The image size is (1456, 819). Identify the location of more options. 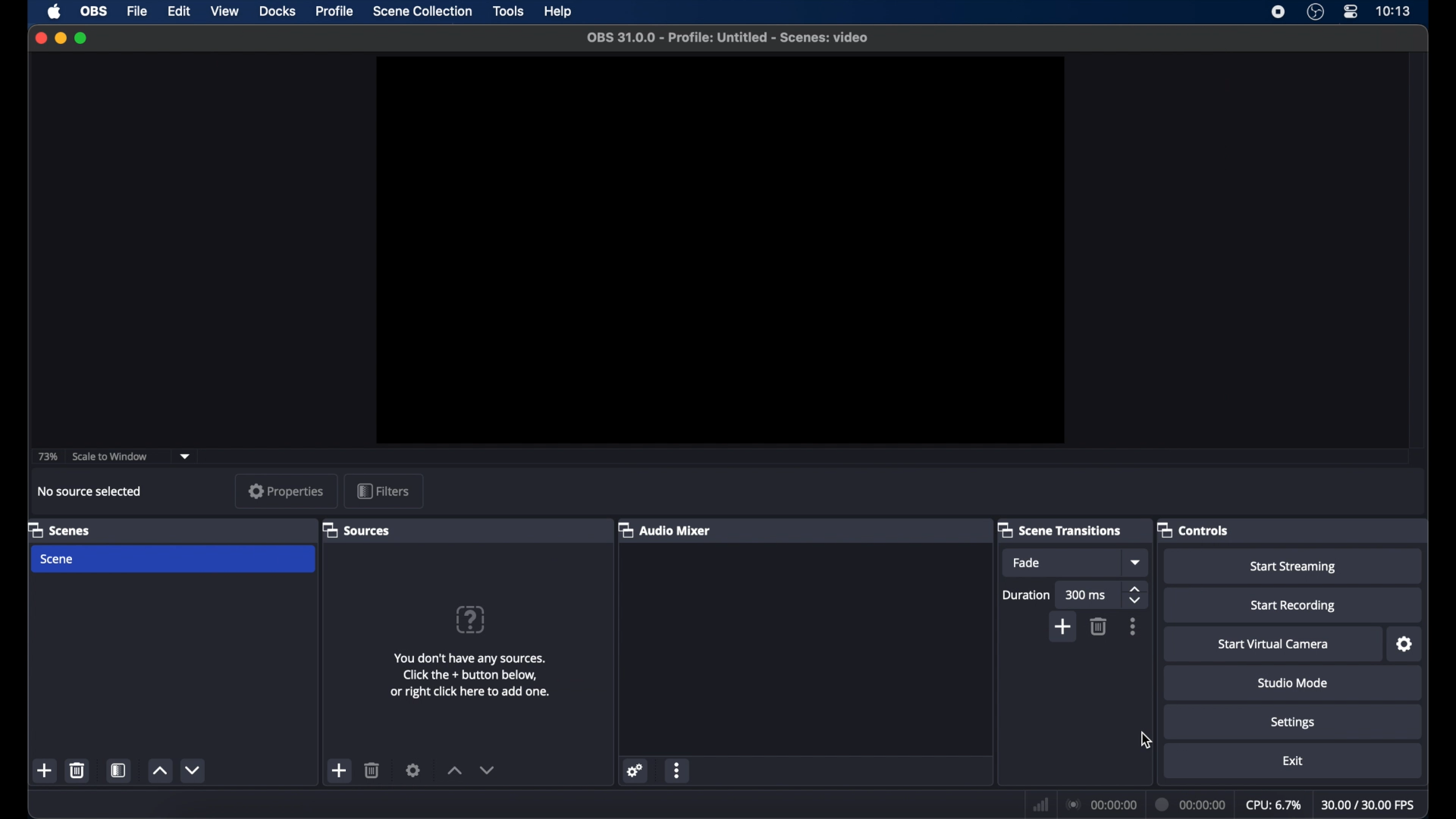
(1134, 626).